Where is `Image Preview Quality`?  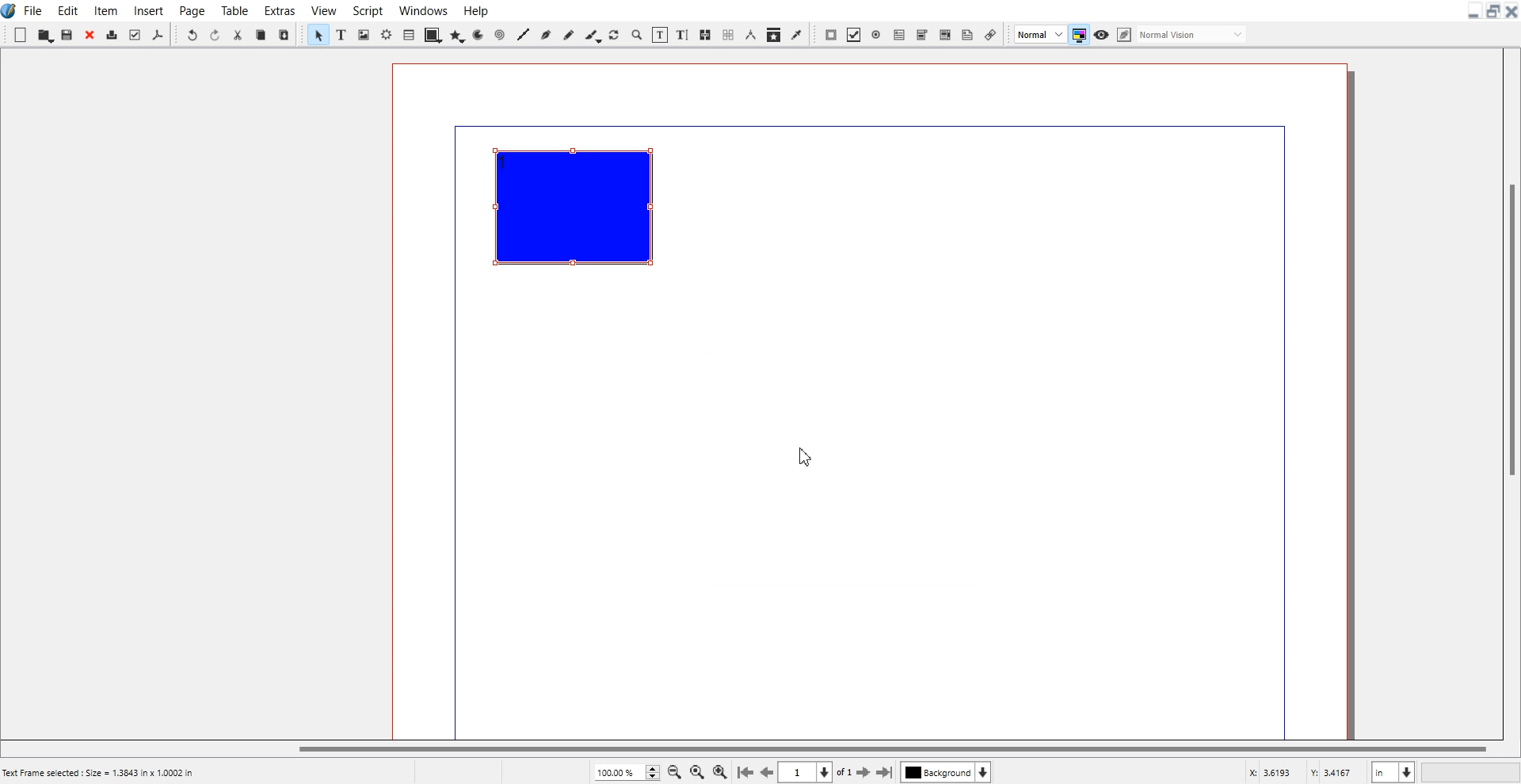
Image Preview Quality is located at coordinates (1039, 33).